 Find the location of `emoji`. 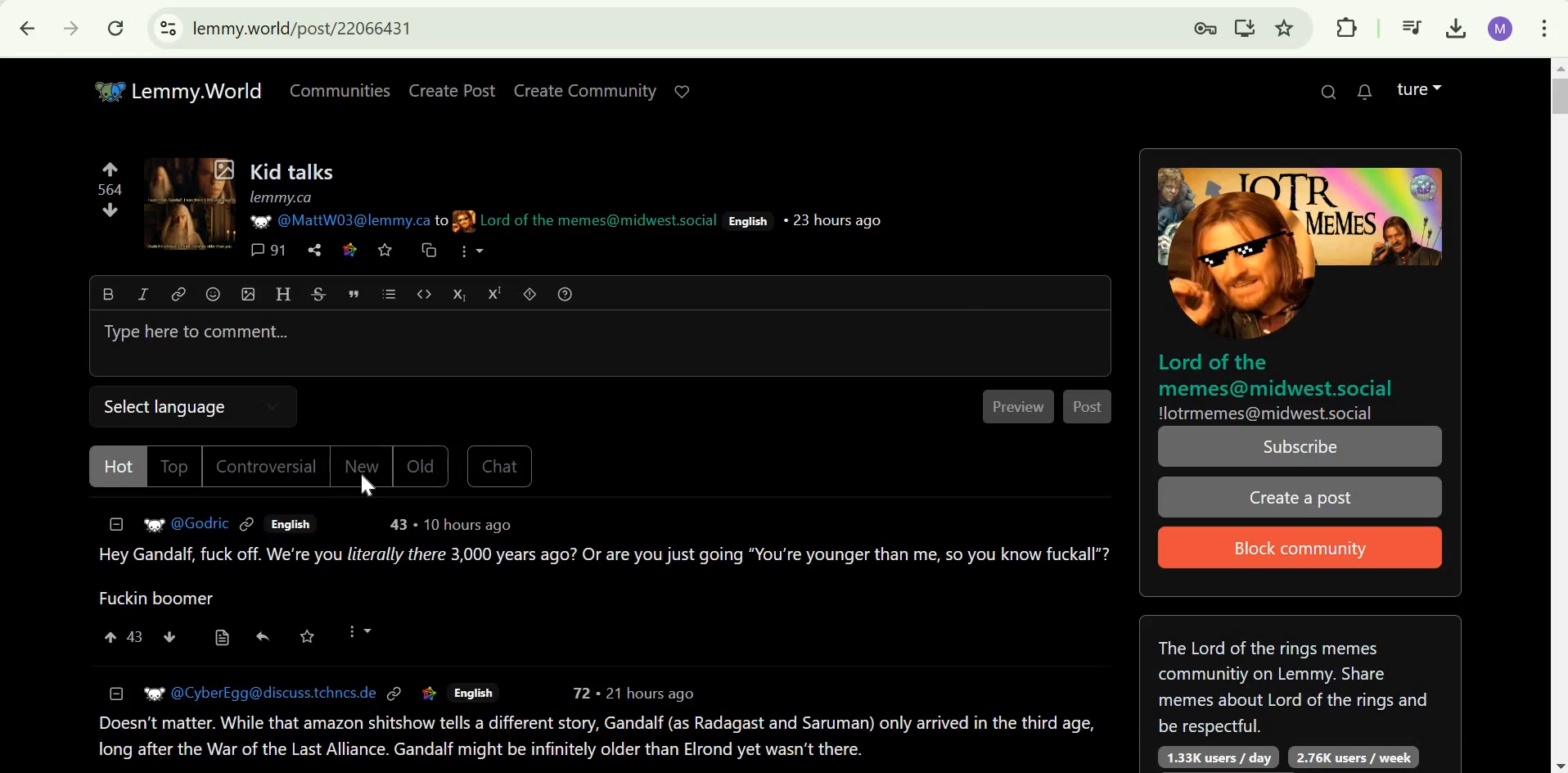

emoji is located at coordinates (212, 293).